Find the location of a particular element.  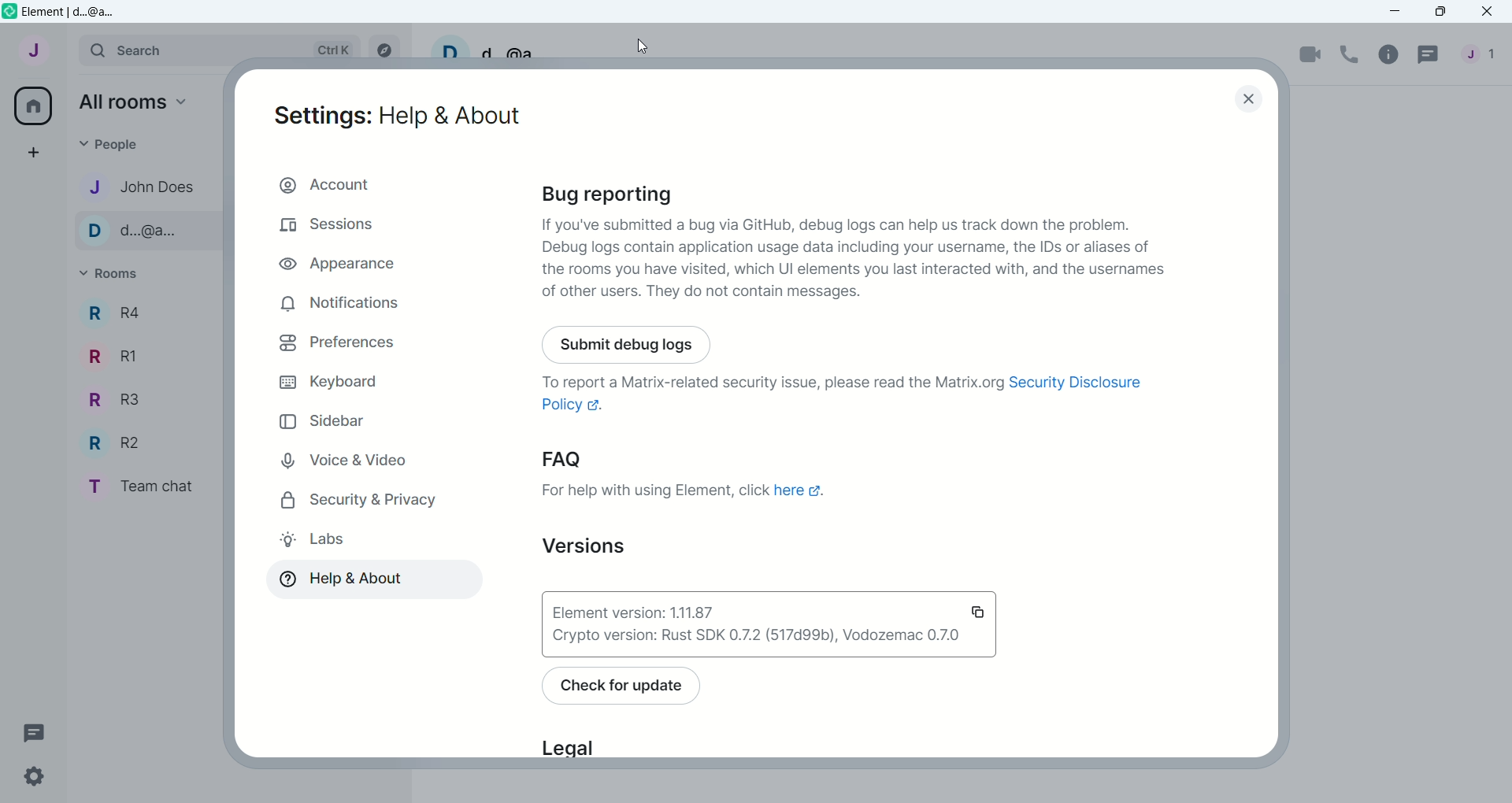

Labs is located at coordinates (320, 541).